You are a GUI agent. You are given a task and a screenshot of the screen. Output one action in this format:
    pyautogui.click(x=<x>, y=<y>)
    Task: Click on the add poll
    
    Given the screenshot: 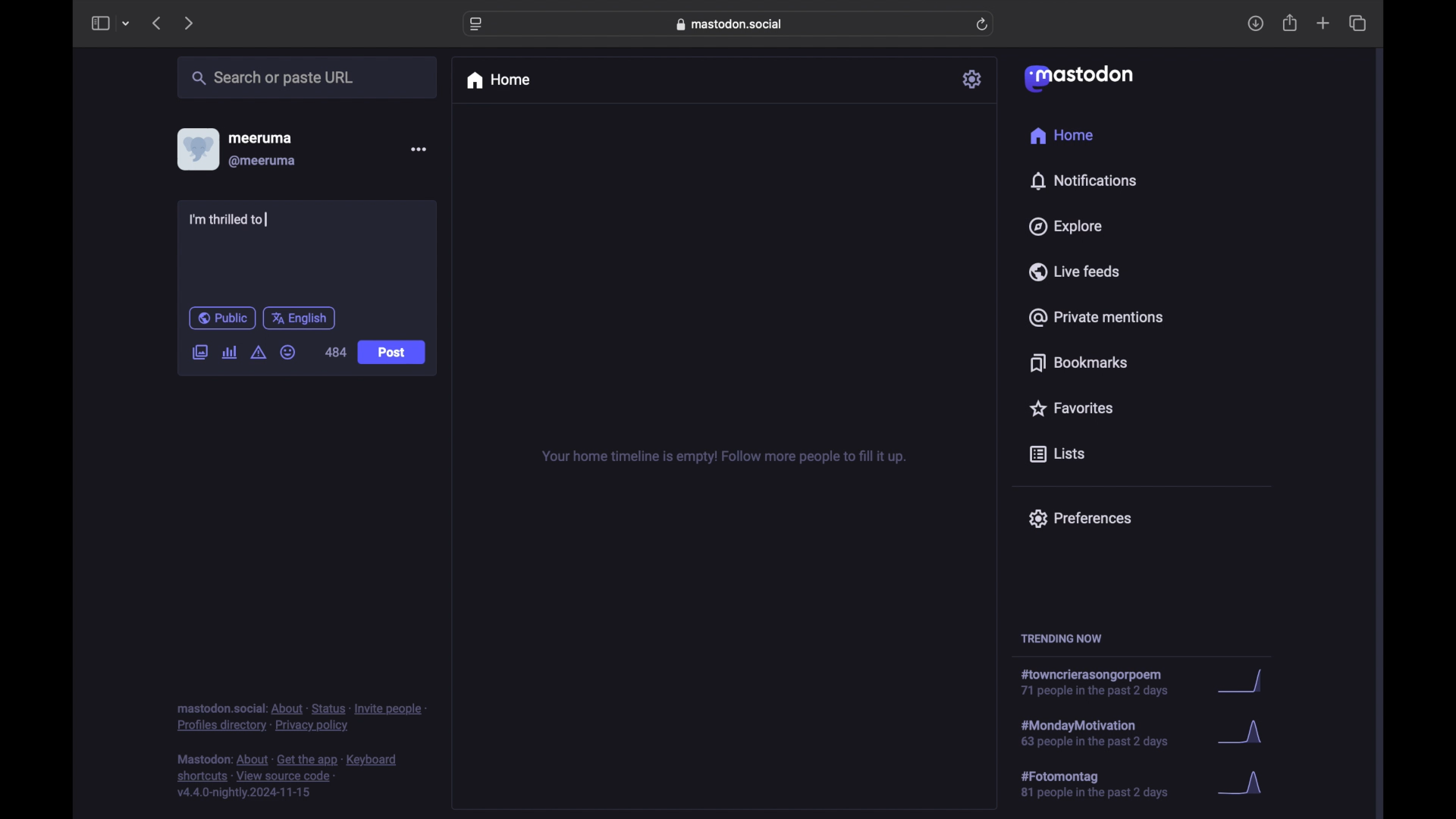 What is the action you would take?
    pyautogui.click(x=231, y=353)
    